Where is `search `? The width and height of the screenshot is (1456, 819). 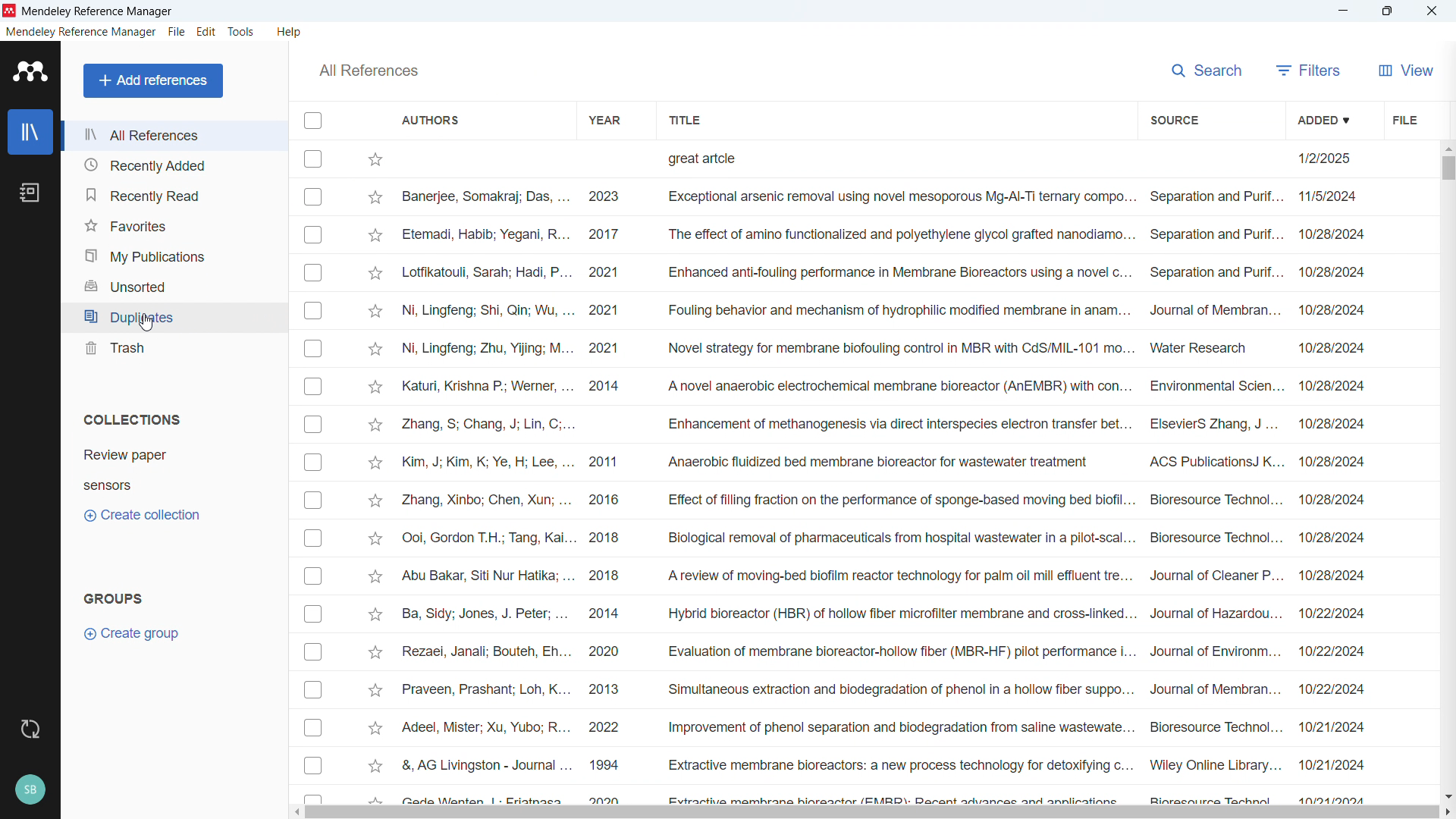
search  is located at coordinates (1204, 70).